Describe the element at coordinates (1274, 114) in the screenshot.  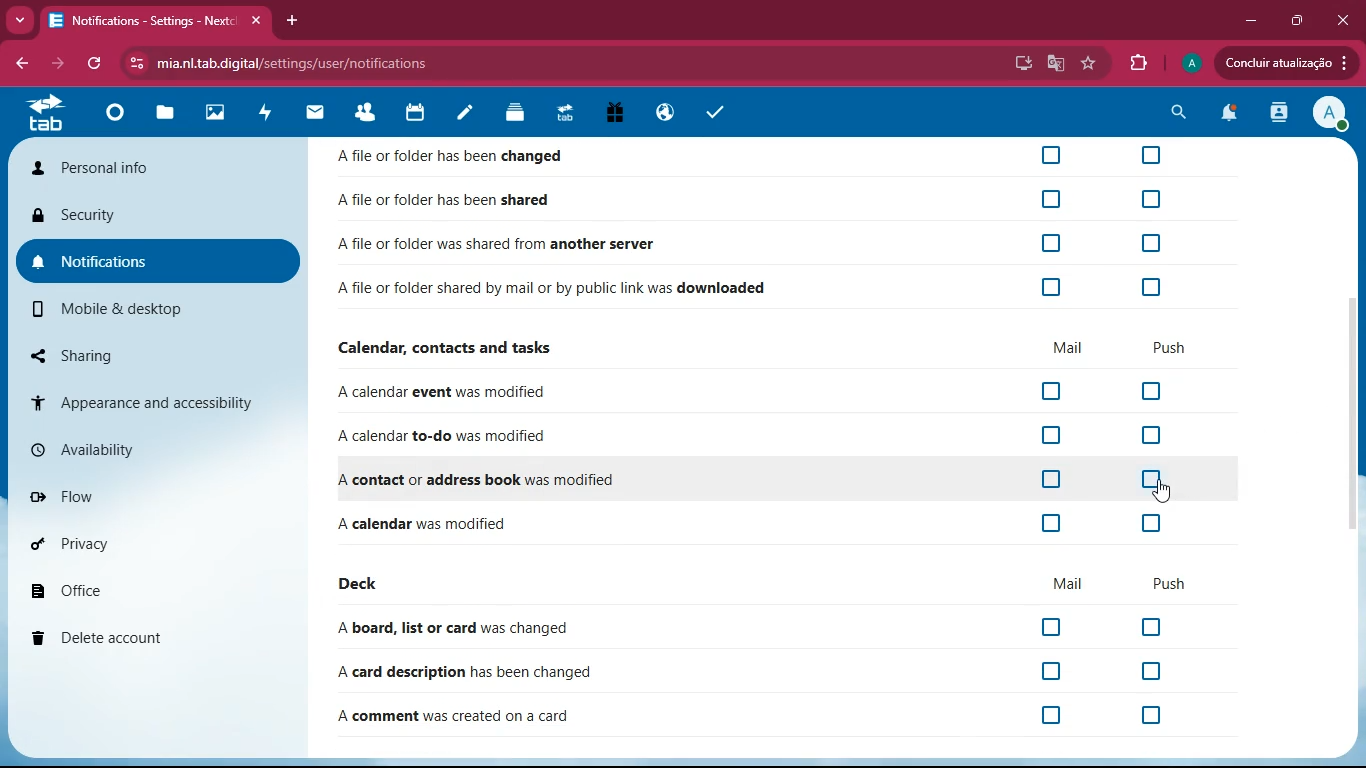
I see `activity` at that location.